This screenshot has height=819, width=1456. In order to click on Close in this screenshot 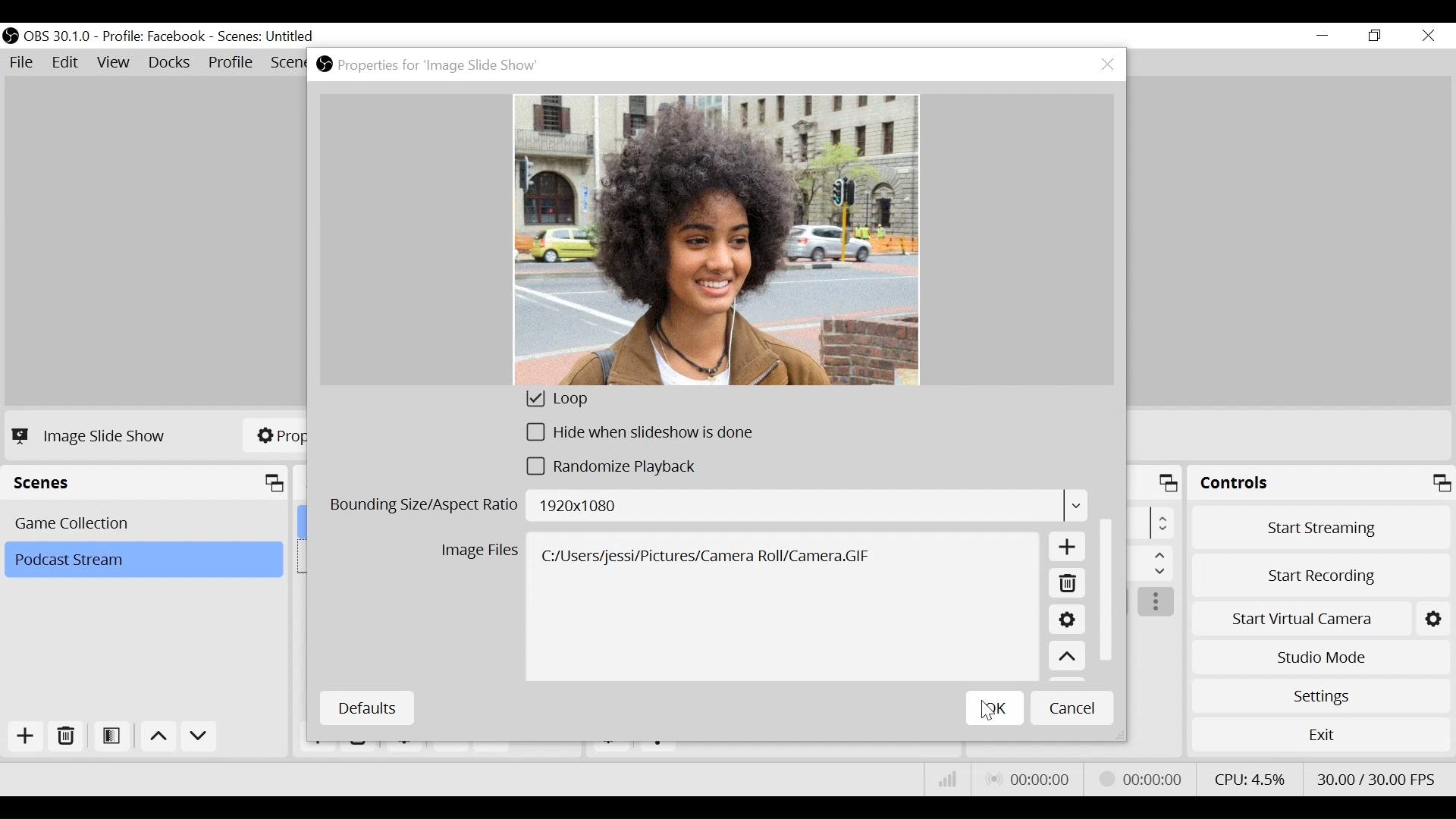, I will do `click(1427, 36)`.